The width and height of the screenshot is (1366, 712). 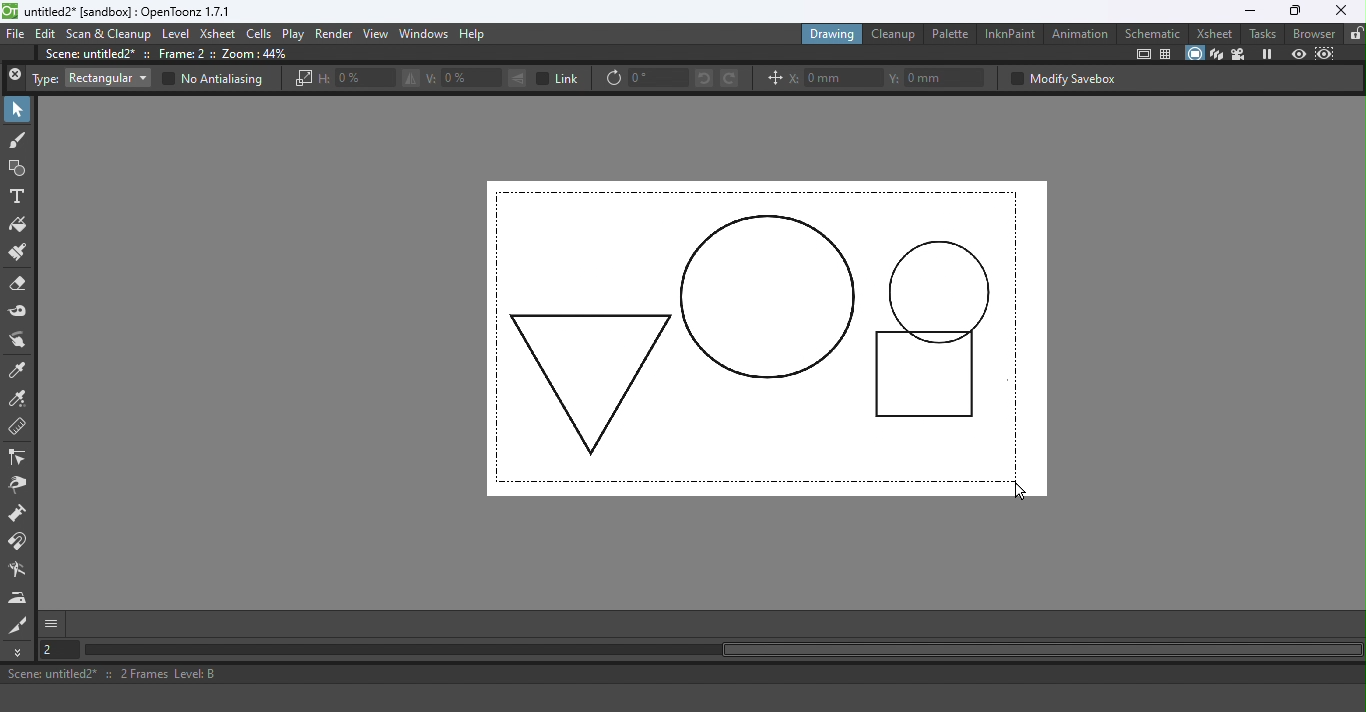 What do you see at coordinates (19, 459) in the screenshot?
I see `Control point editor tool` at bounding box center [19, 459].